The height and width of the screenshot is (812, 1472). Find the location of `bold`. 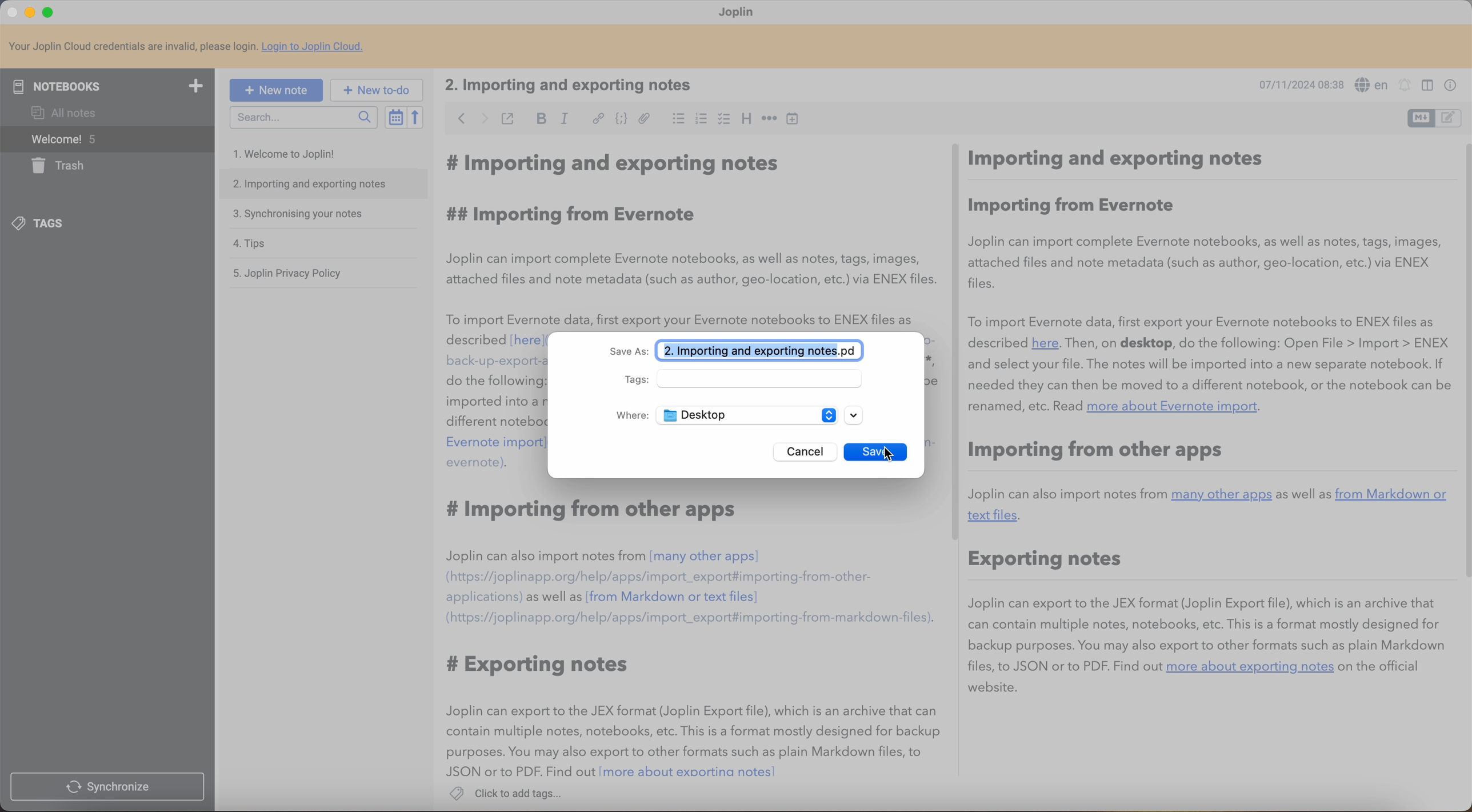

bold is located at coordinates (543, 118).